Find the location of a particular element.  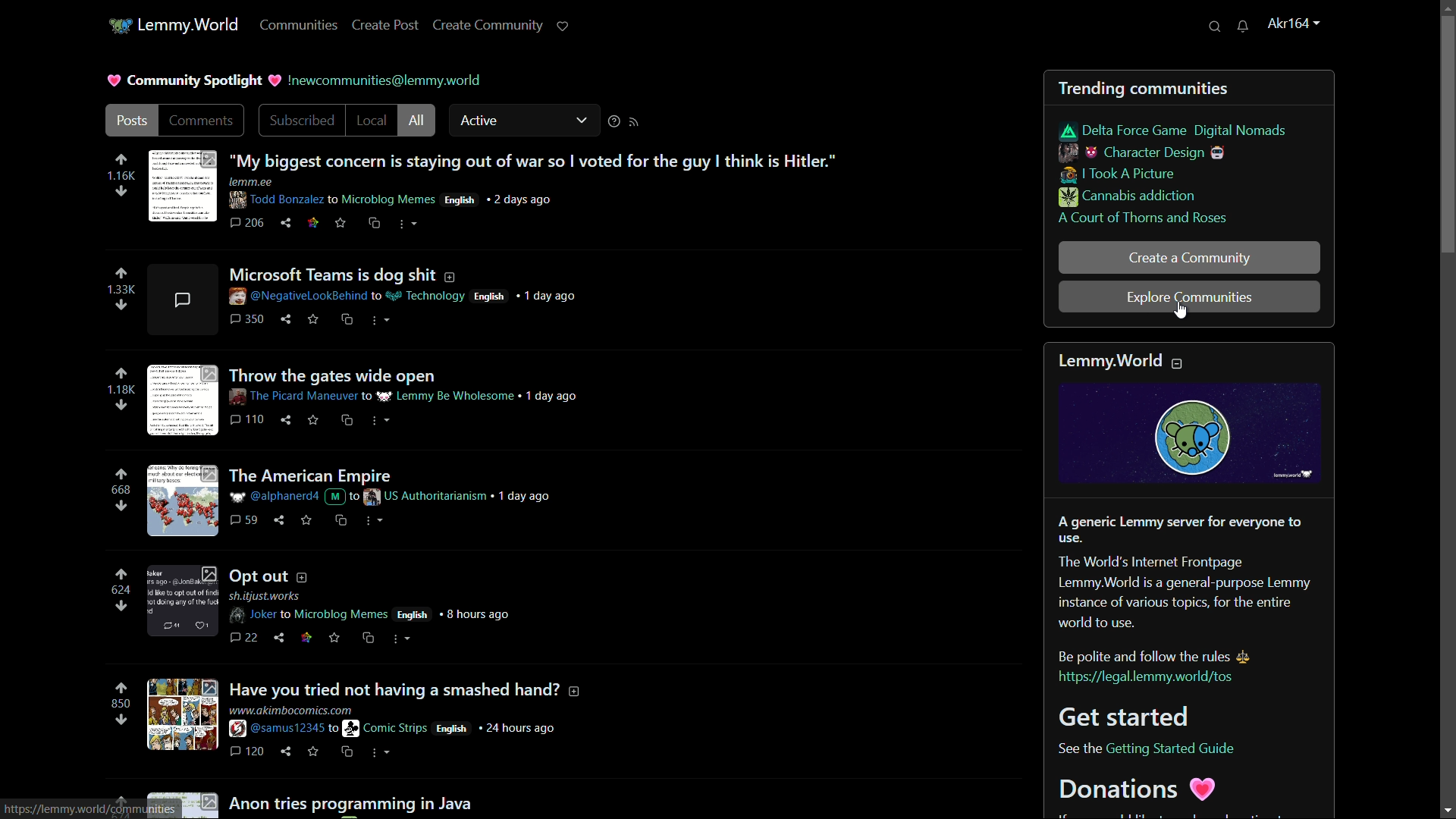

upvote is located at coordinates (121, 574).